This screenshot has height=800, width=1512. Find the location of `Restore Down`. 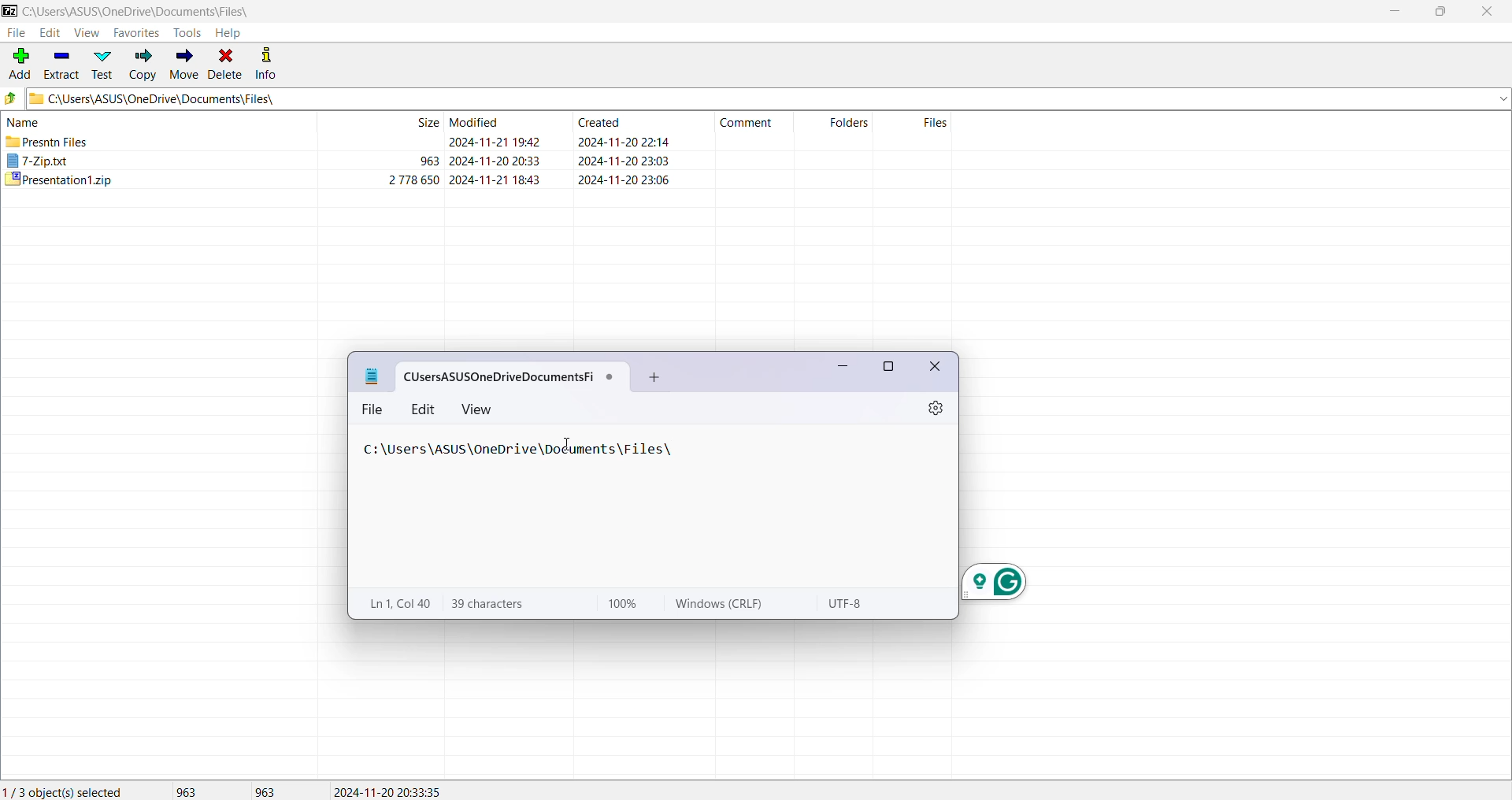

Restore Down is located at coordinates (1442, 12).